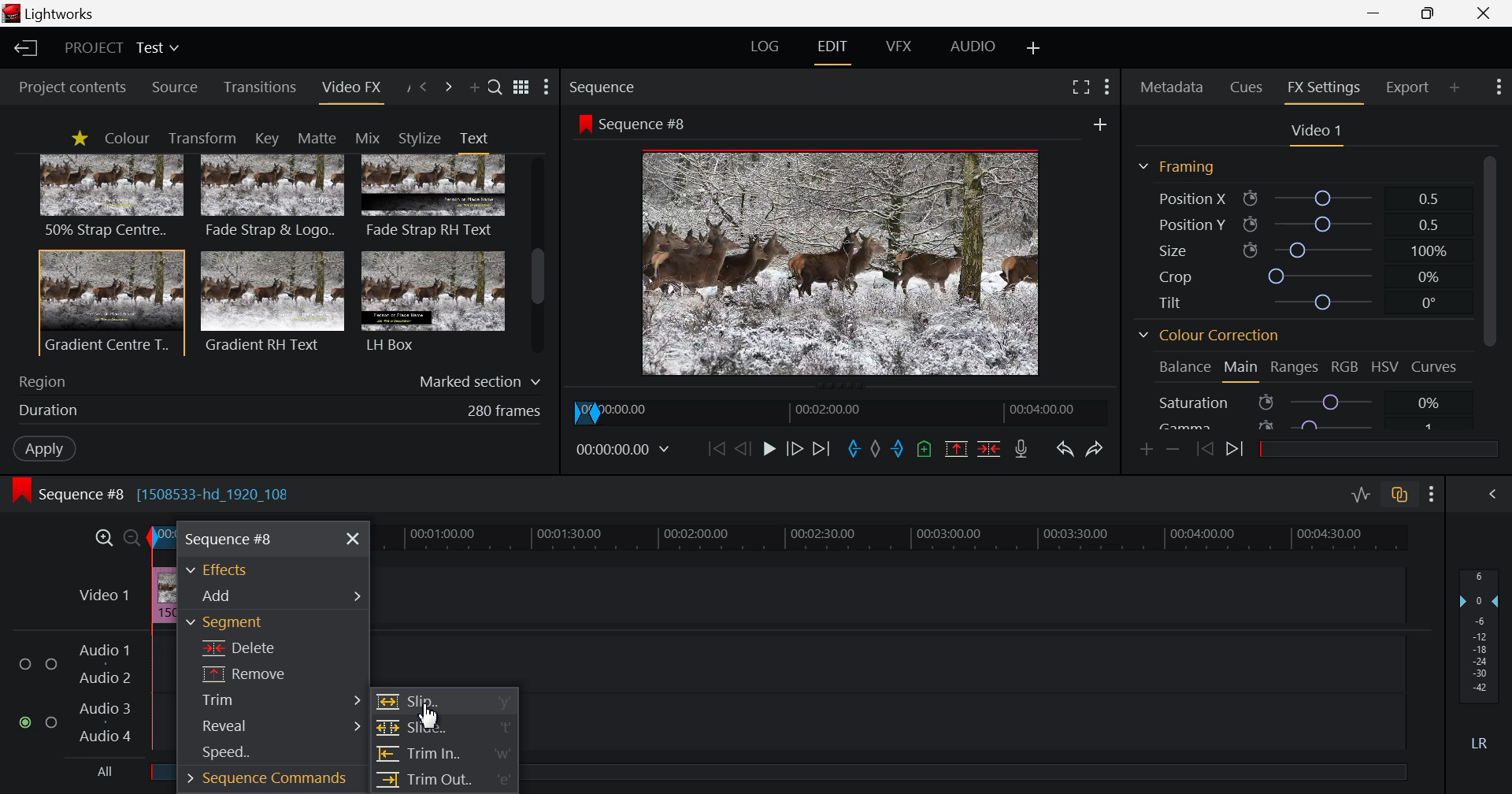  What do you see at coordinates (902, 46) in the screenshot?
I see `VFX Layout` at bounding box center [902, 46].